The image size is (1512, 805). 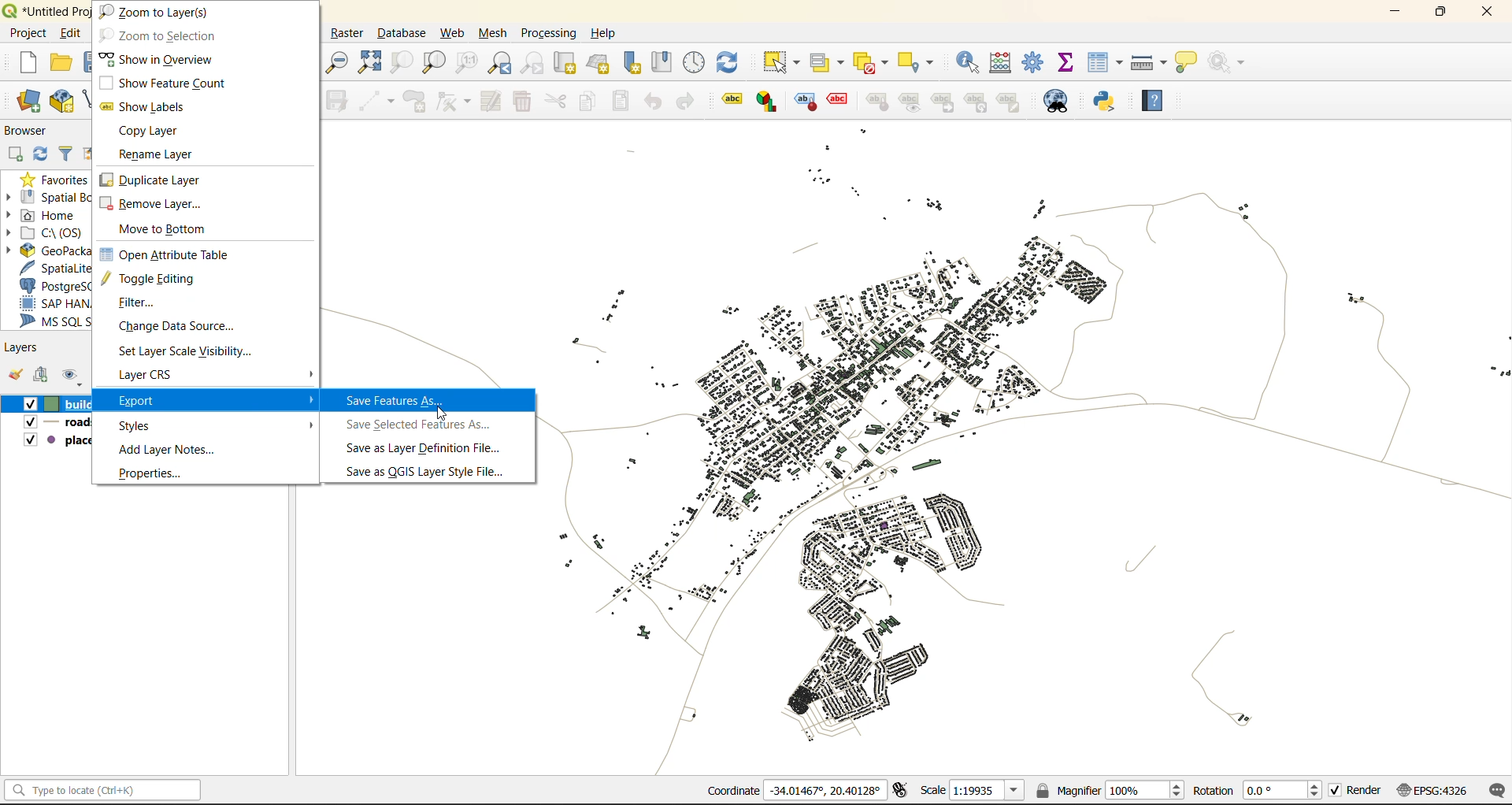 What do you see at coordinates (1019, 449) in the screenshot?
I see `map` at bounding box center [1019, 449].